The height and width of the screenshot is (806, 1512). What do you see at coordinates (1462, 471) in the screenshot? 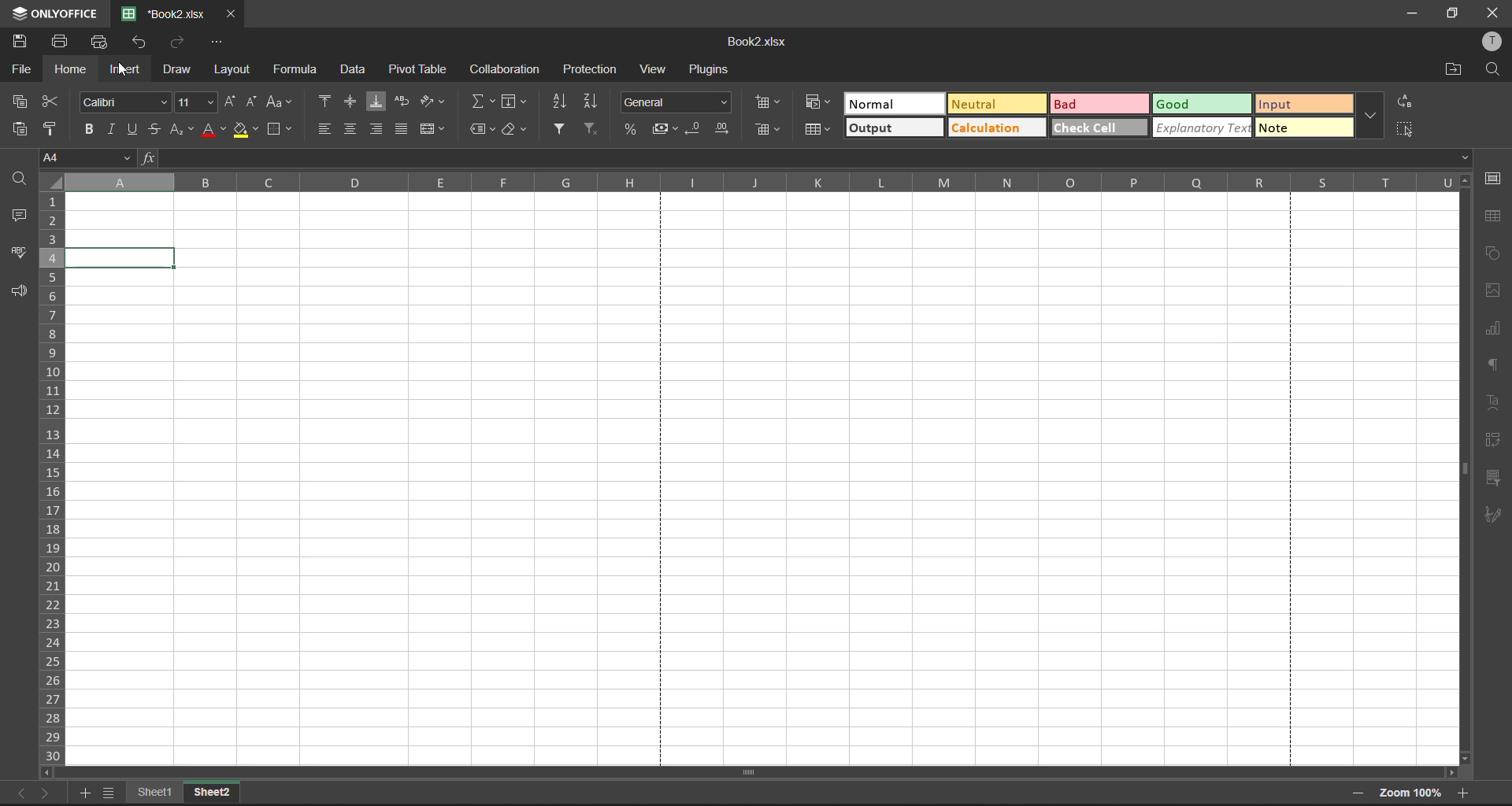
I see `scroll bar` at bounding box center [1462, 471].